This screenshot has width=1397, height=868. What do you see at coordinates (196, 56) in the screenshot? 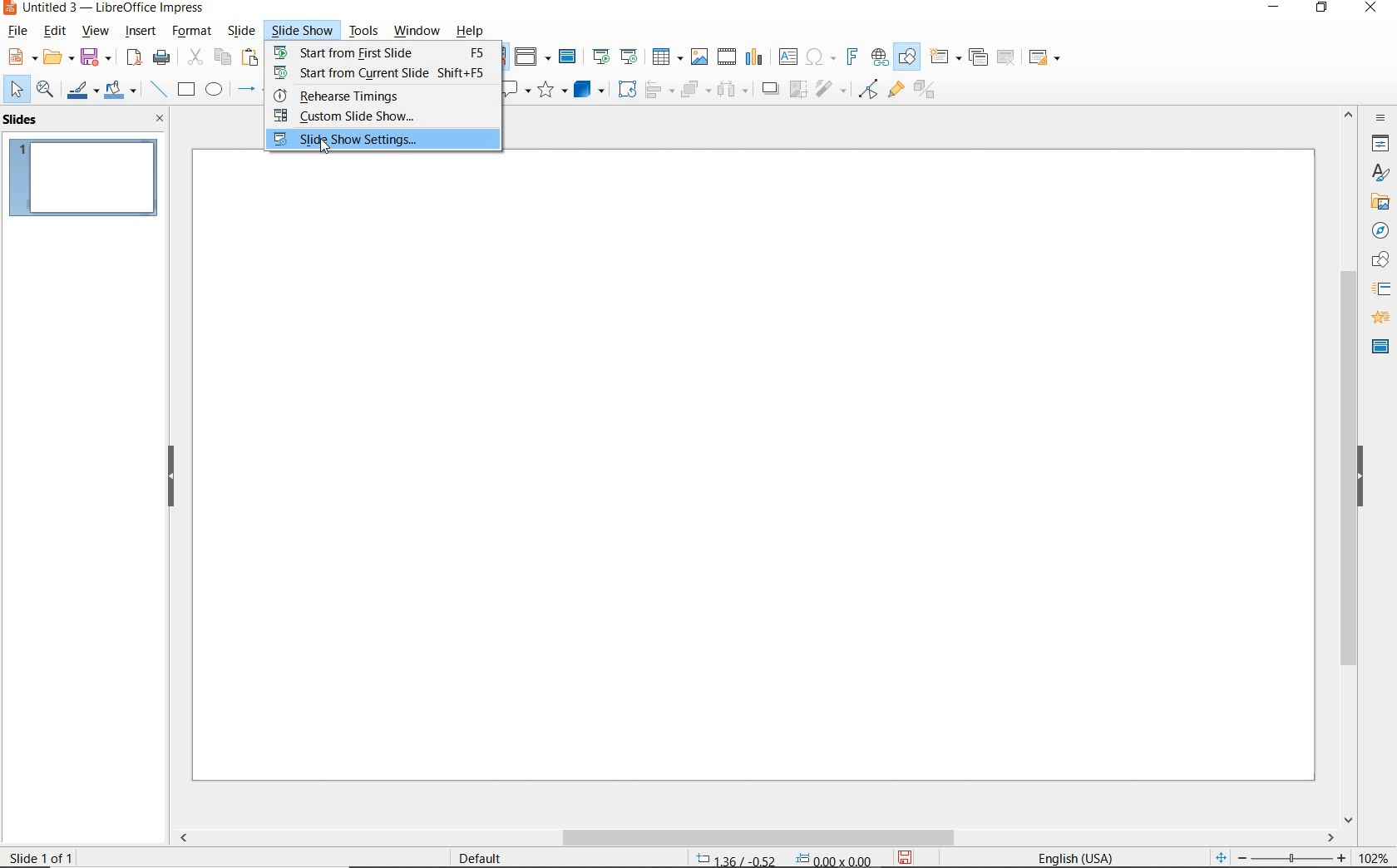
I see `CUT` at bounding box center [196, 56].